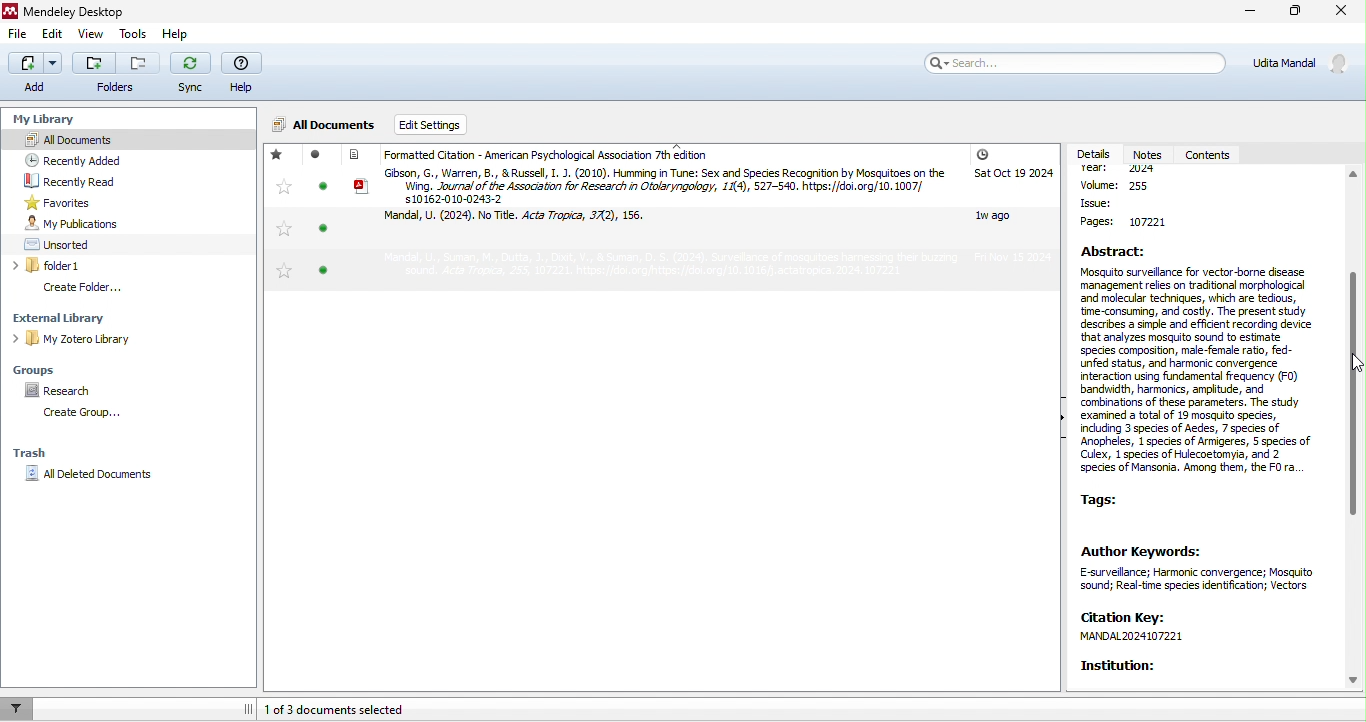 The height and width of the screenshot is (722, 1366). Describe the element at coordinates (94, 160) in the screenshot. I see `recently added` at that location.